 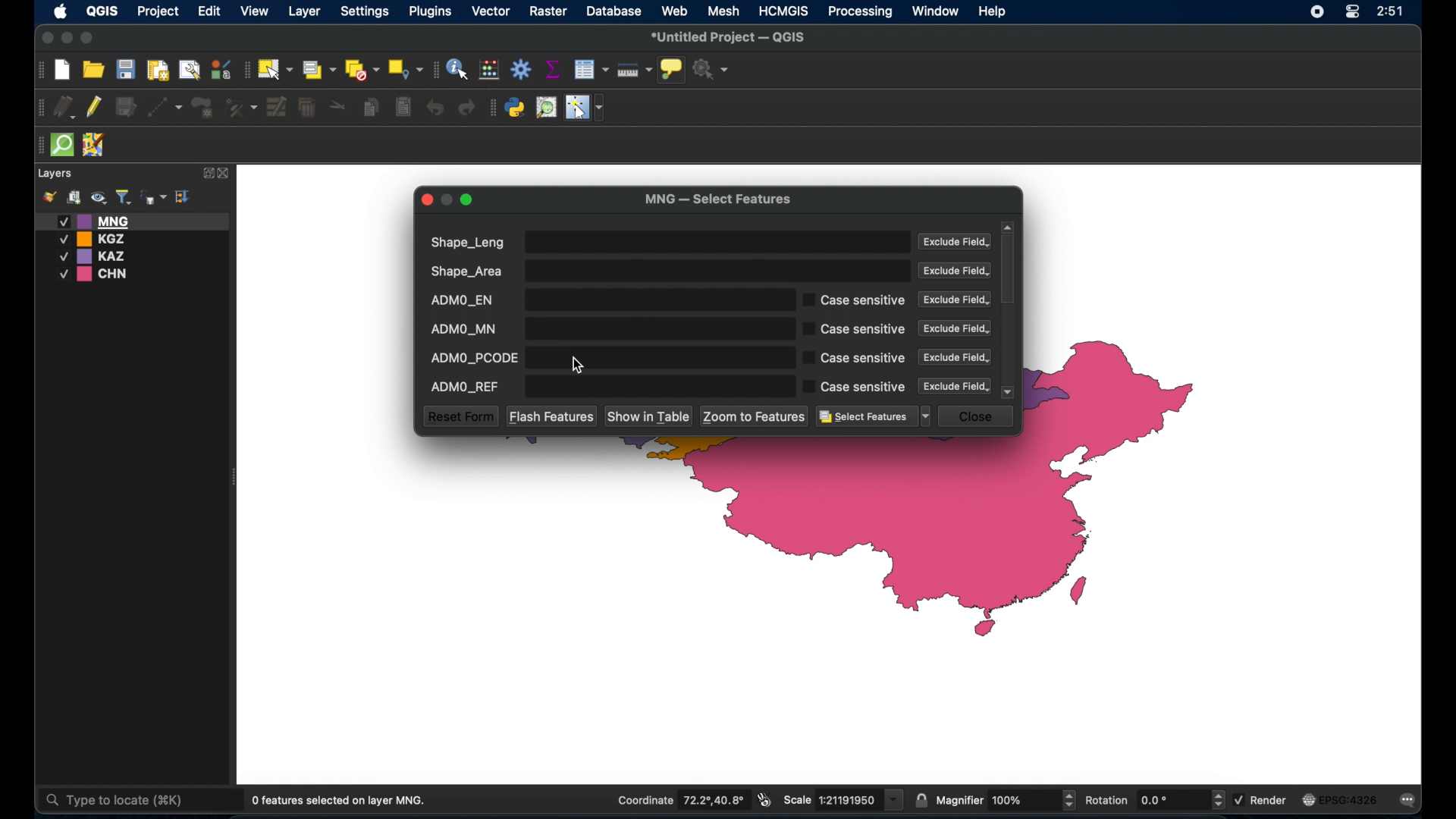 I want to click on help, so click(x=994, y=13).